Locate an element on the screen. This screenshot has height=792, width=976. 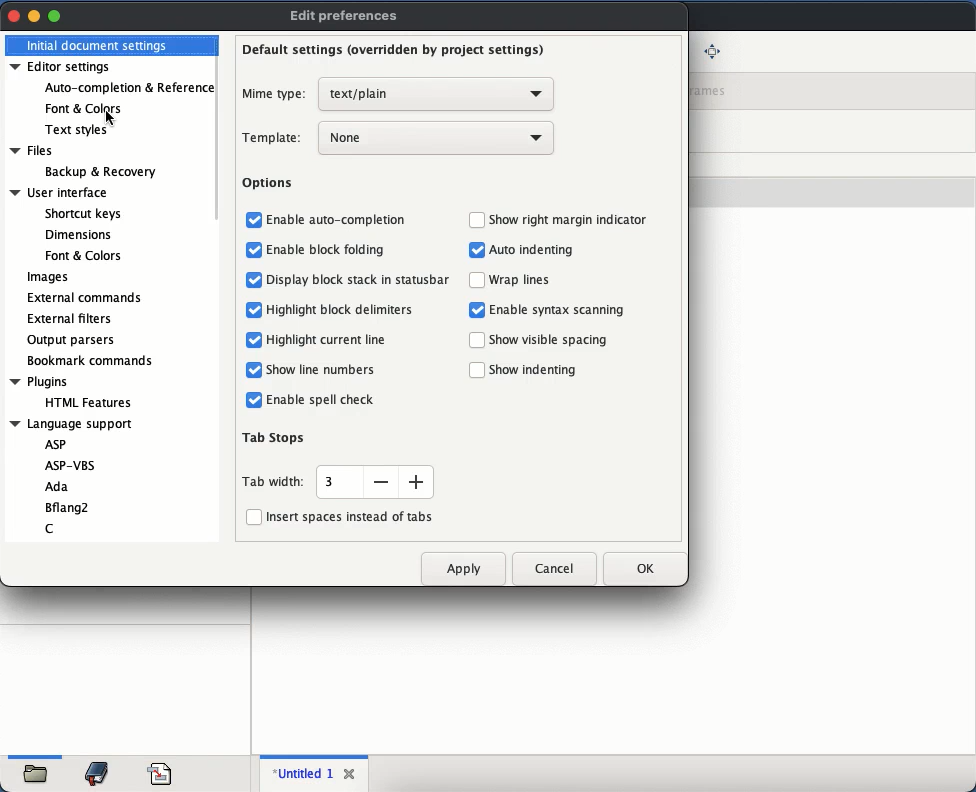
ASP is located at coordinates (58, 444).